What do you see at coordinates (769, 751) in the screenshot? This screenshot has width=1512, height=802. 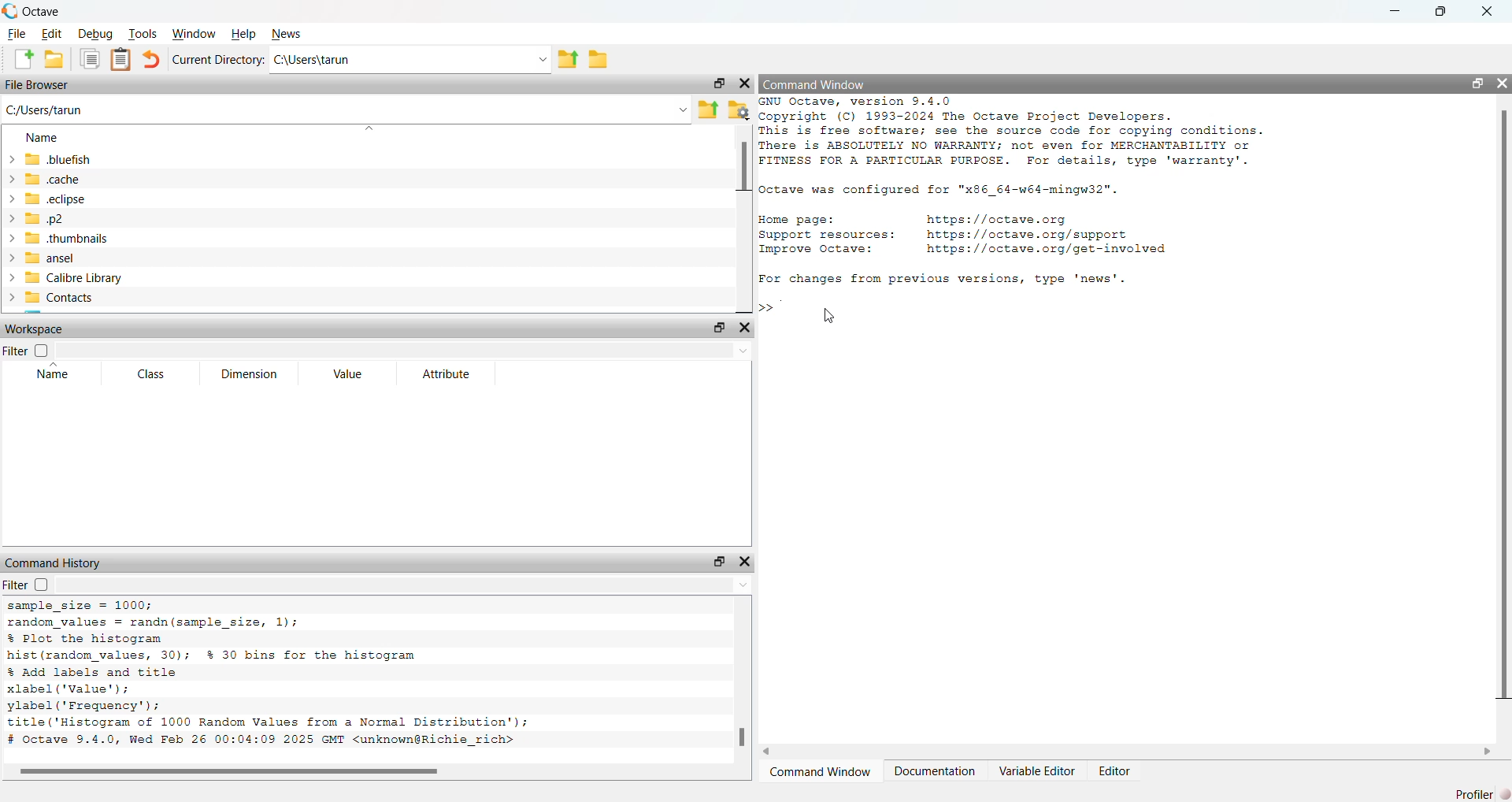 I see `scroll left` at bounding box center [769, 751].